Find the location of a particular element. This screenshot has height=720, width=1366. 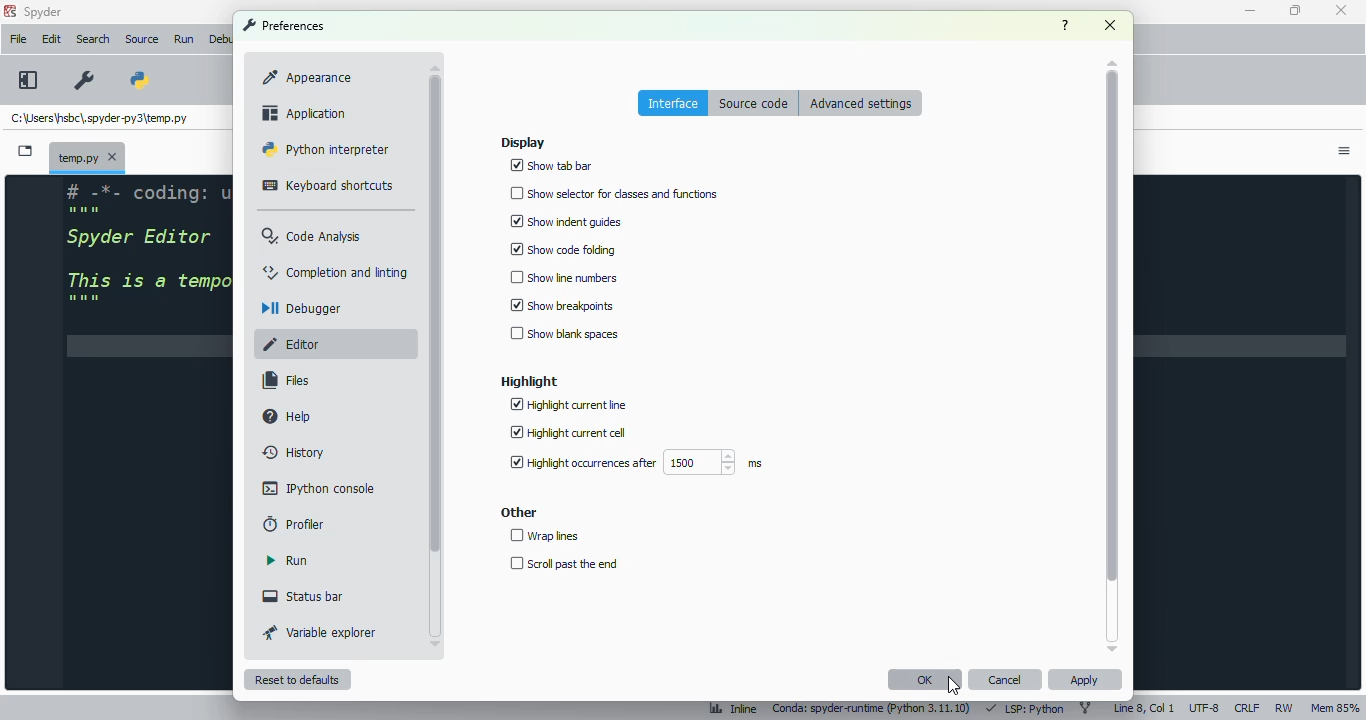

history is located at coordinates (295, 452).